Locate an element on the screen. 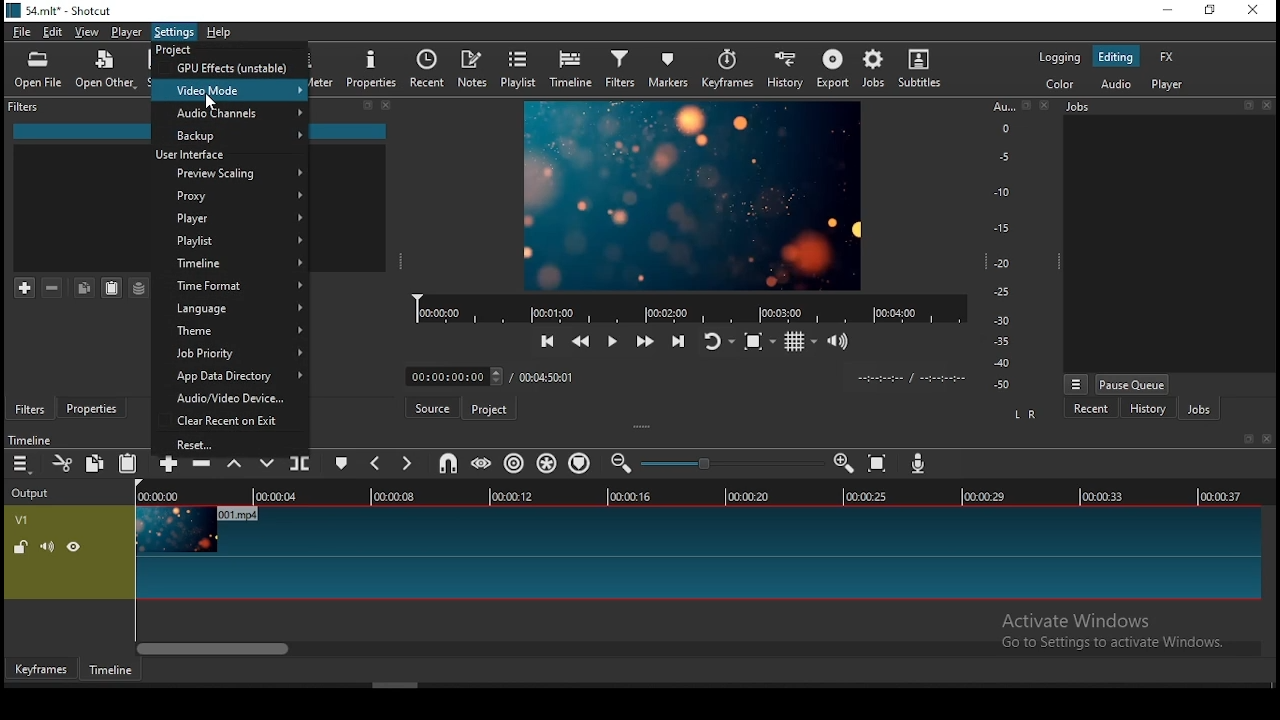  00:00:00 is located at coordinates (155, 496).